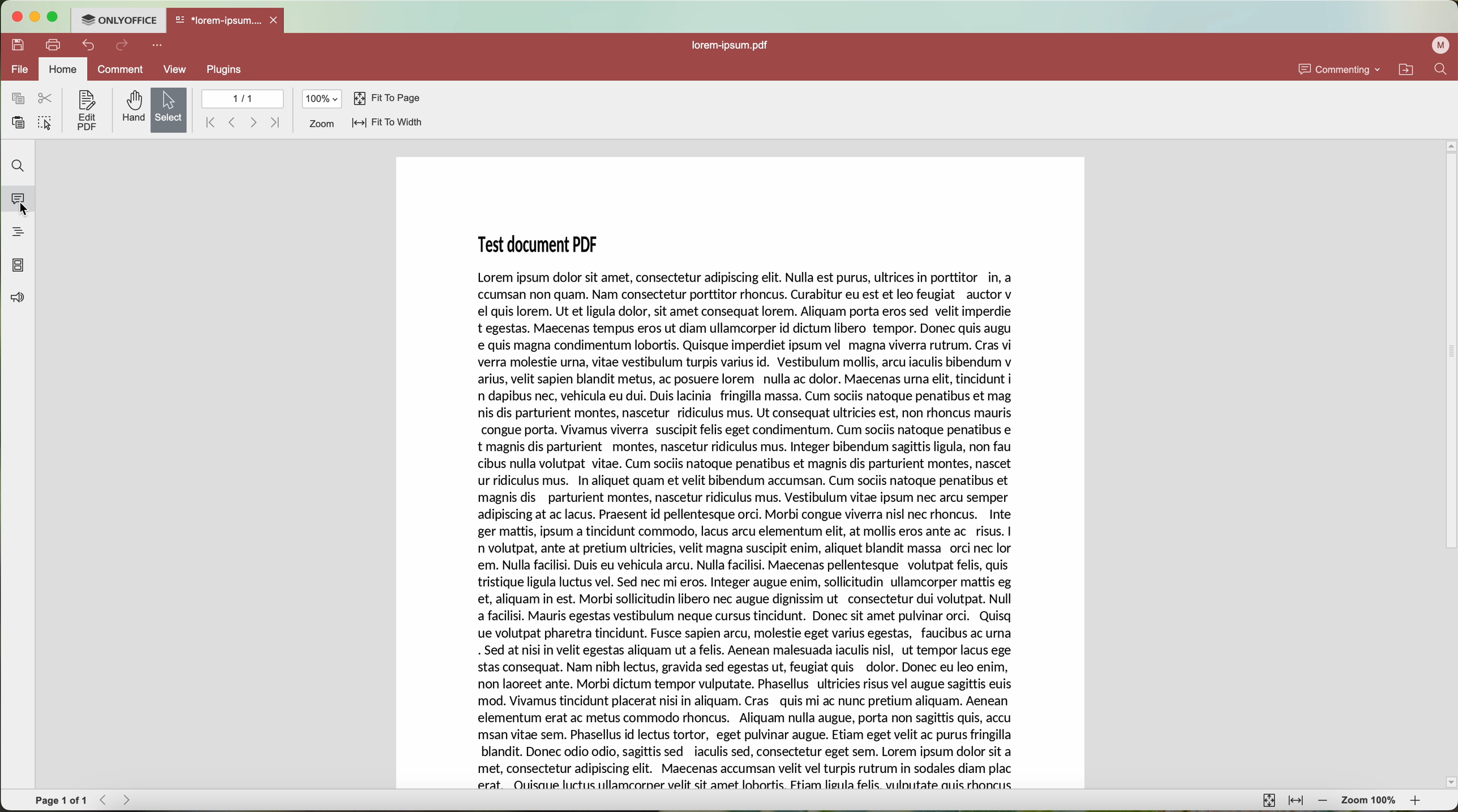  I want to click on fit to width, so click(387, 124).